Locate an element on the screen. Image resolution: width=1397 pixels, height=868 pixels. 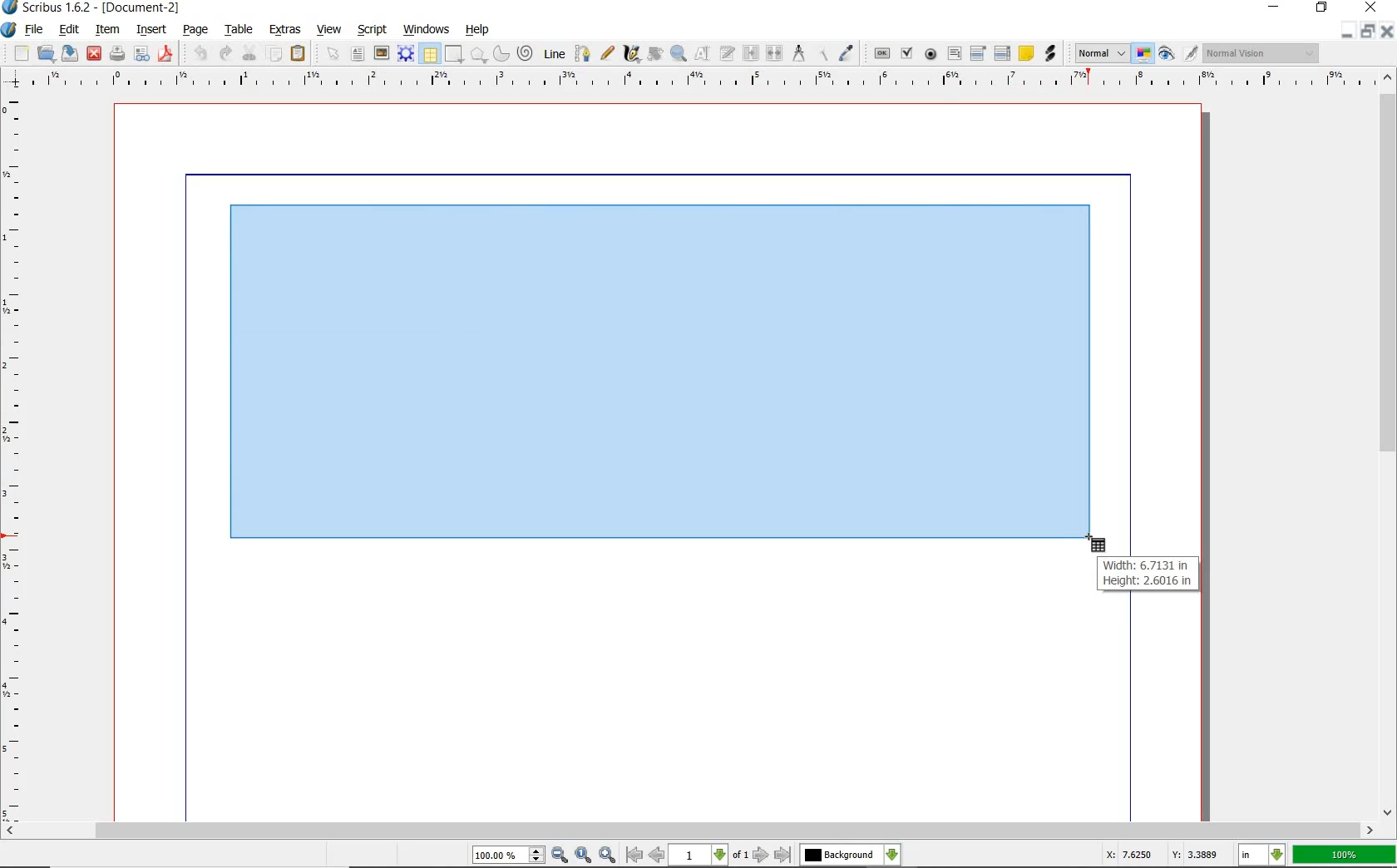
X: 7.6250 Y: 3.3889 is located at coordinates (1163, 855).